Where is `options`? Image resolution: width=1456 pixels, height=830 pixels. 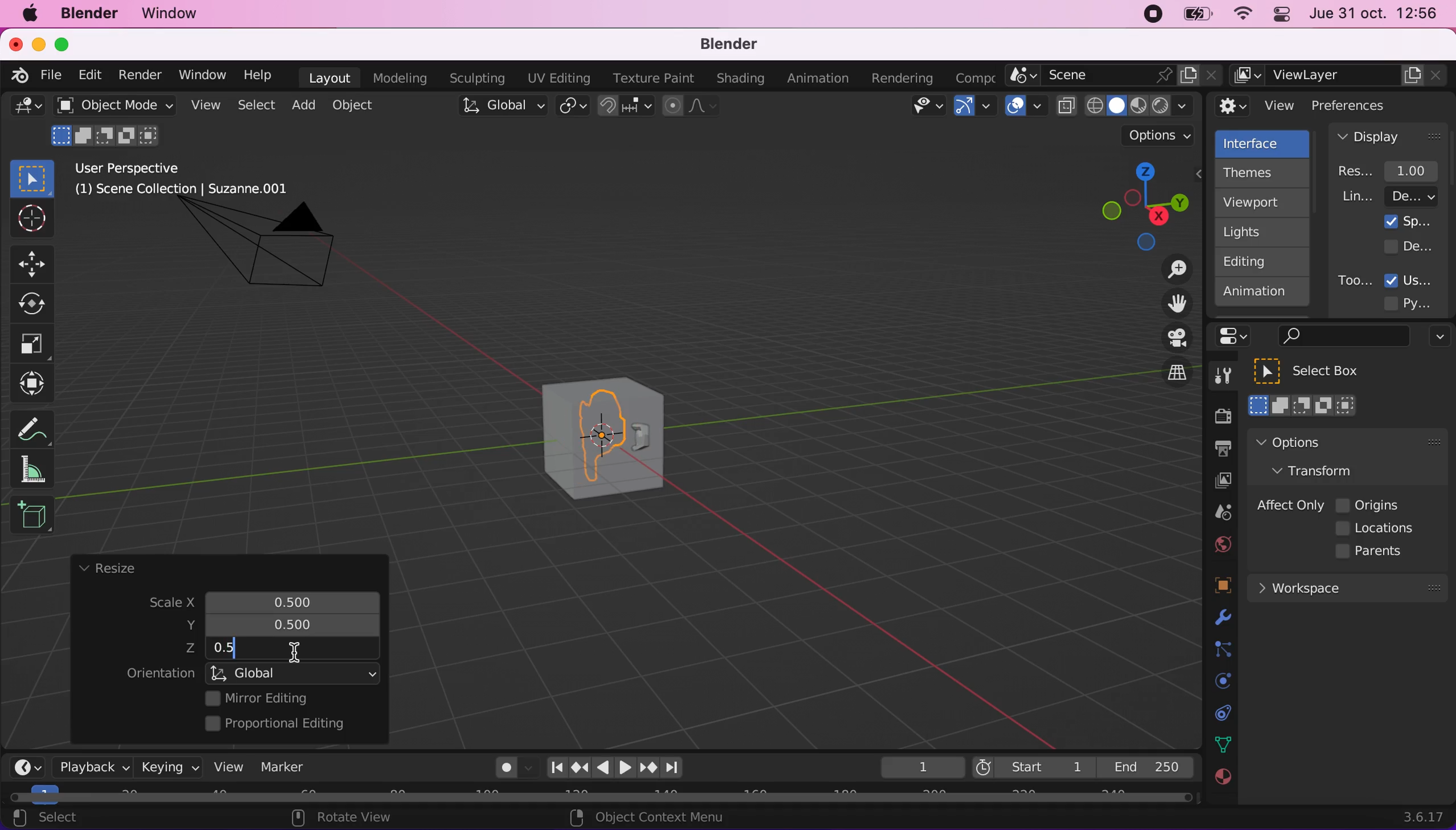 options is located at coordinates (1320, 442).